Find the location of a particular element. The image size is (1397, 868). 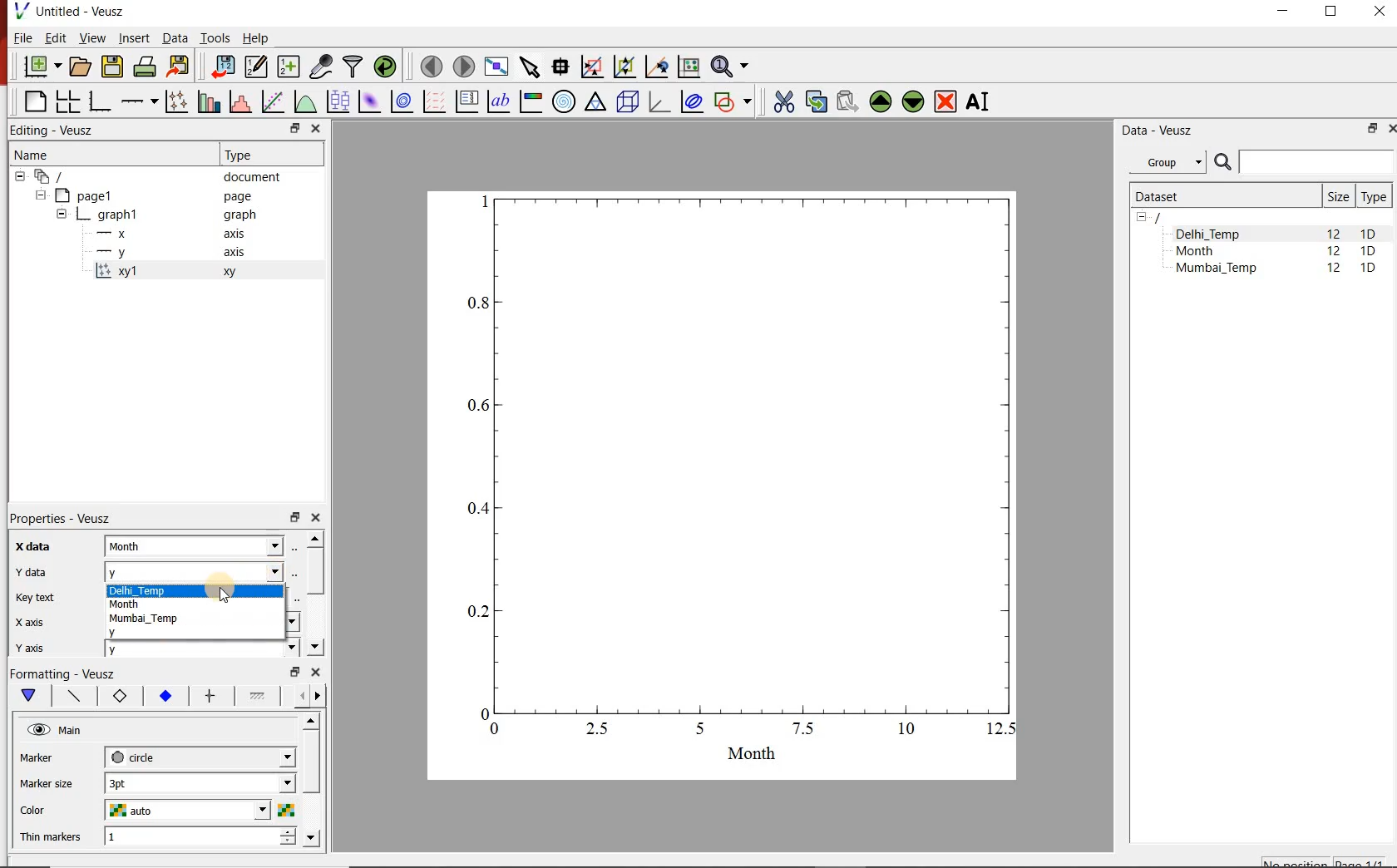

-y axis is located at coordinates (164, 254).